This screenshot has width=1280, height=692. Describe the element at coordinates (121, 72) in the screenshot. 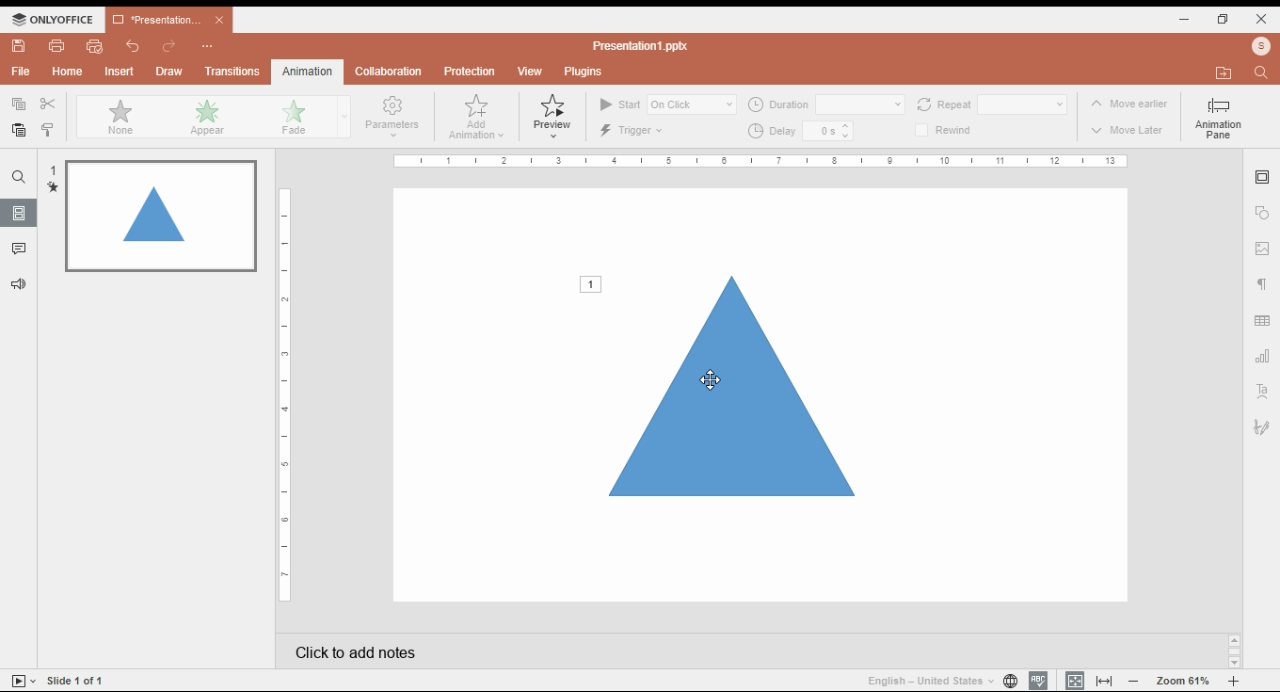

I see `insert` at that location.